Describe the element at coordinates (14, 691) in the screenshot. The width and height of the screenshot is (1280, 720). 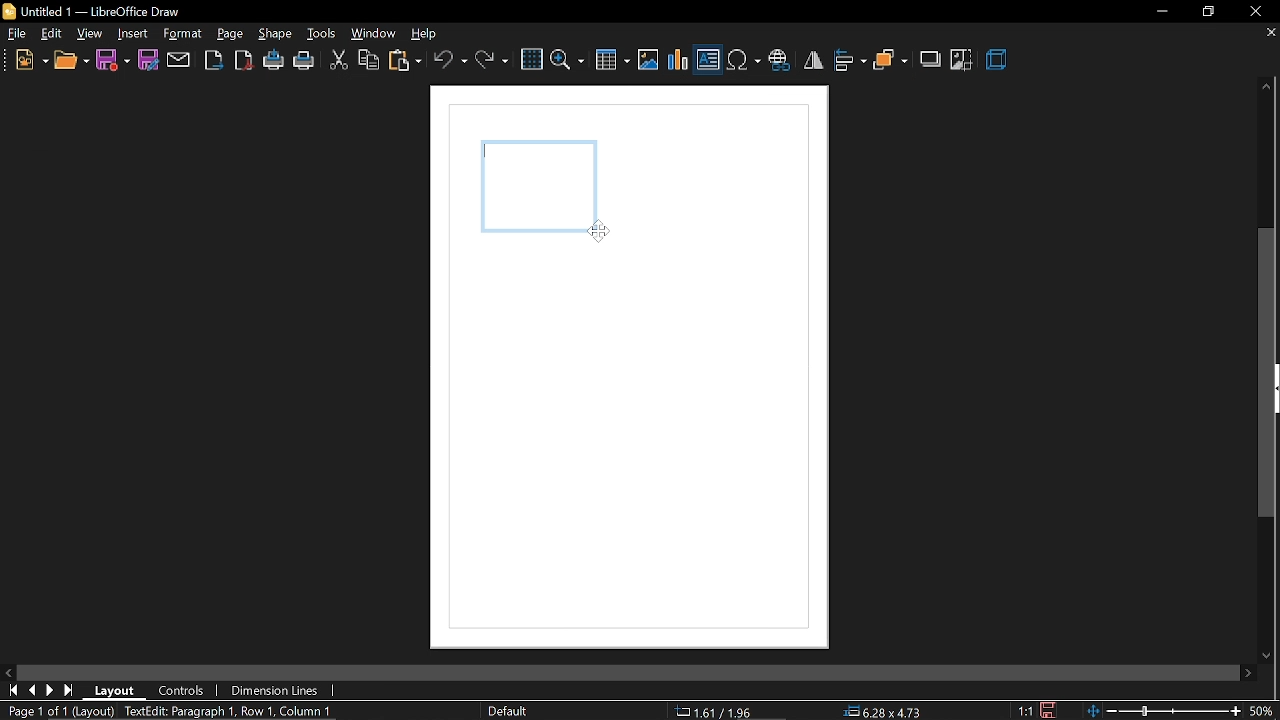
I see `go to first page` at that location.